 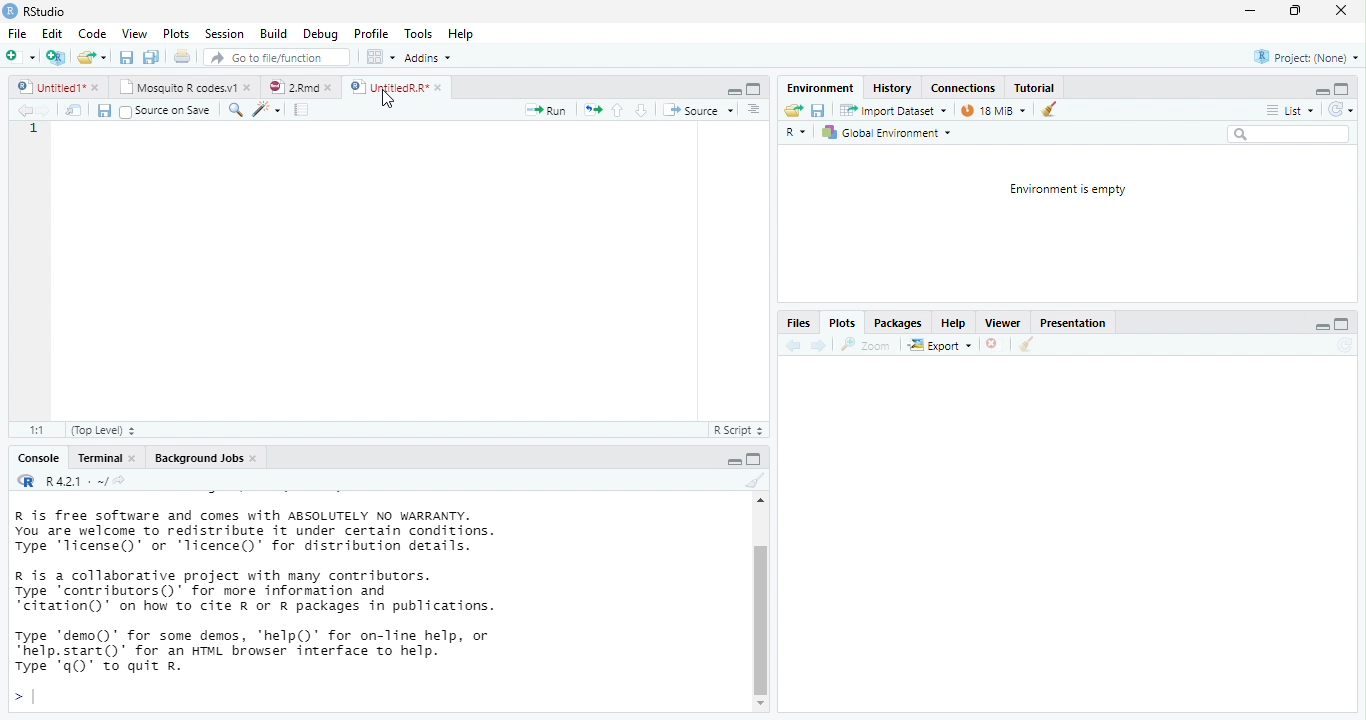 What do you see at coordinates (120, 480) in the screenshot?
I see `view the current working directory` at bounding box center [120, 480].